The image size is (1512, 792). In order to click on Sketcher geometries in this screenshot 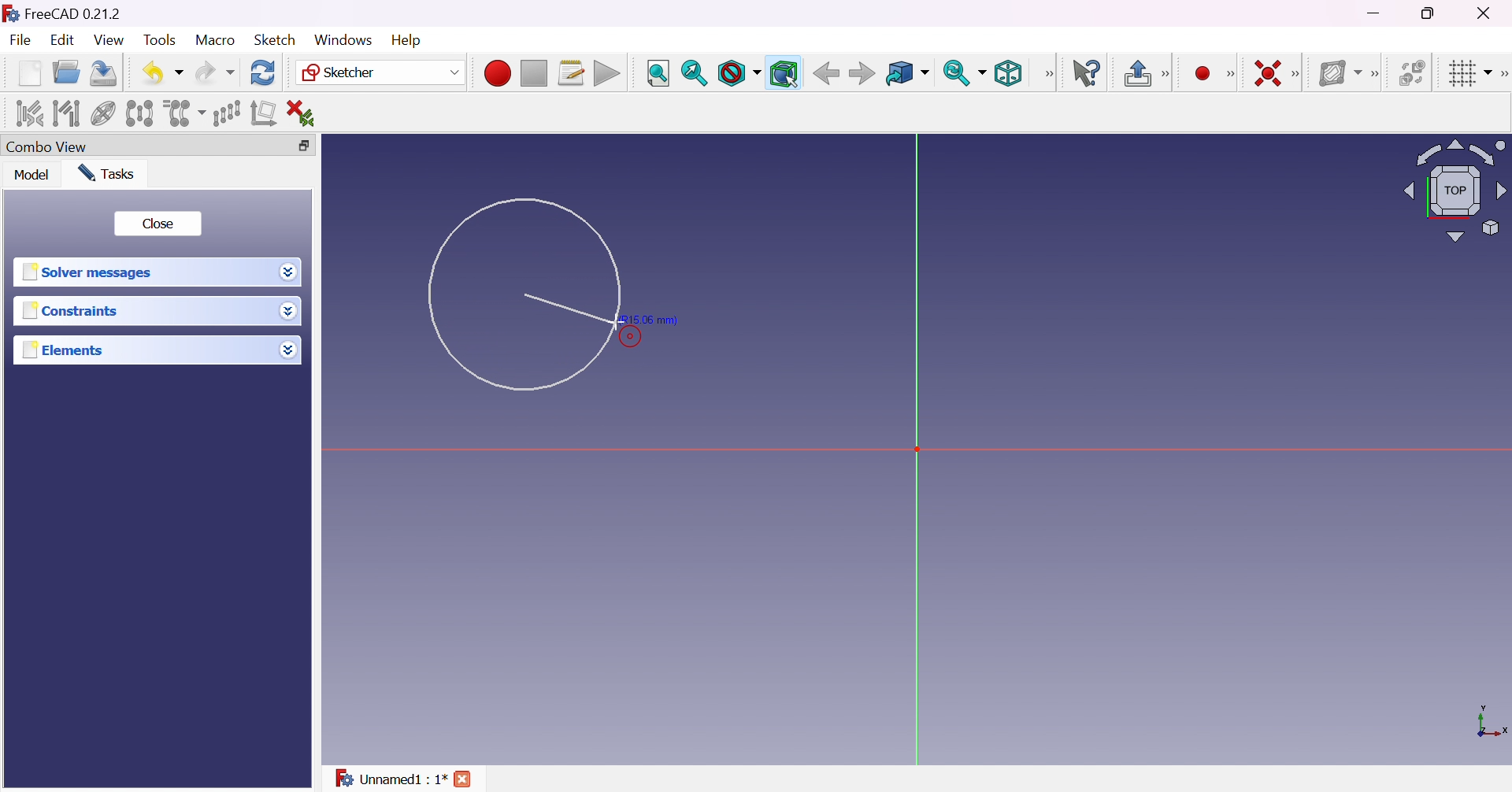, I will do `click(1230, 75)`.